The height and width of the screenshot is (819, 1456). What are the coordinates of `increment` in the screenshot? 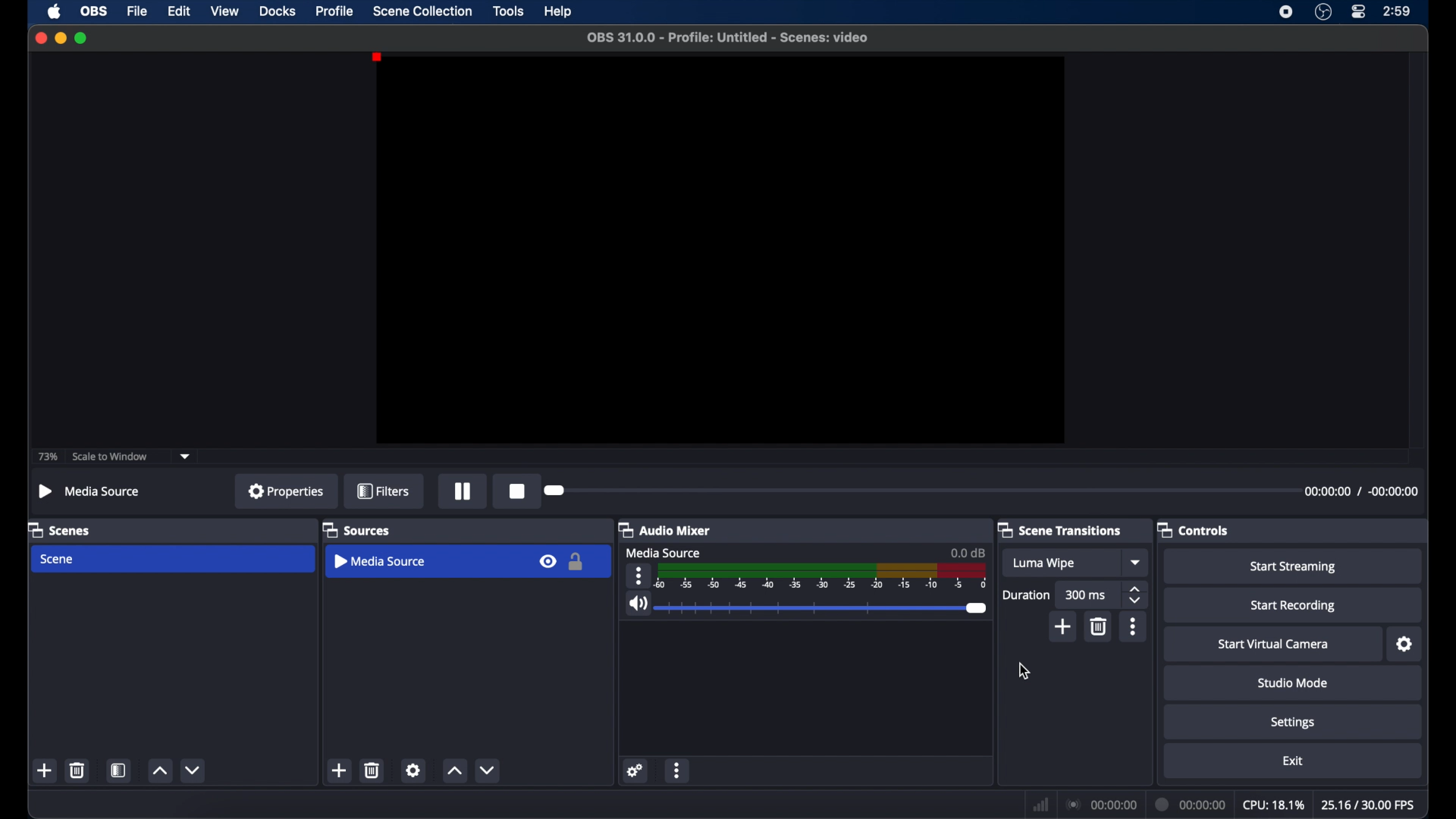 It's located at (160, 771).